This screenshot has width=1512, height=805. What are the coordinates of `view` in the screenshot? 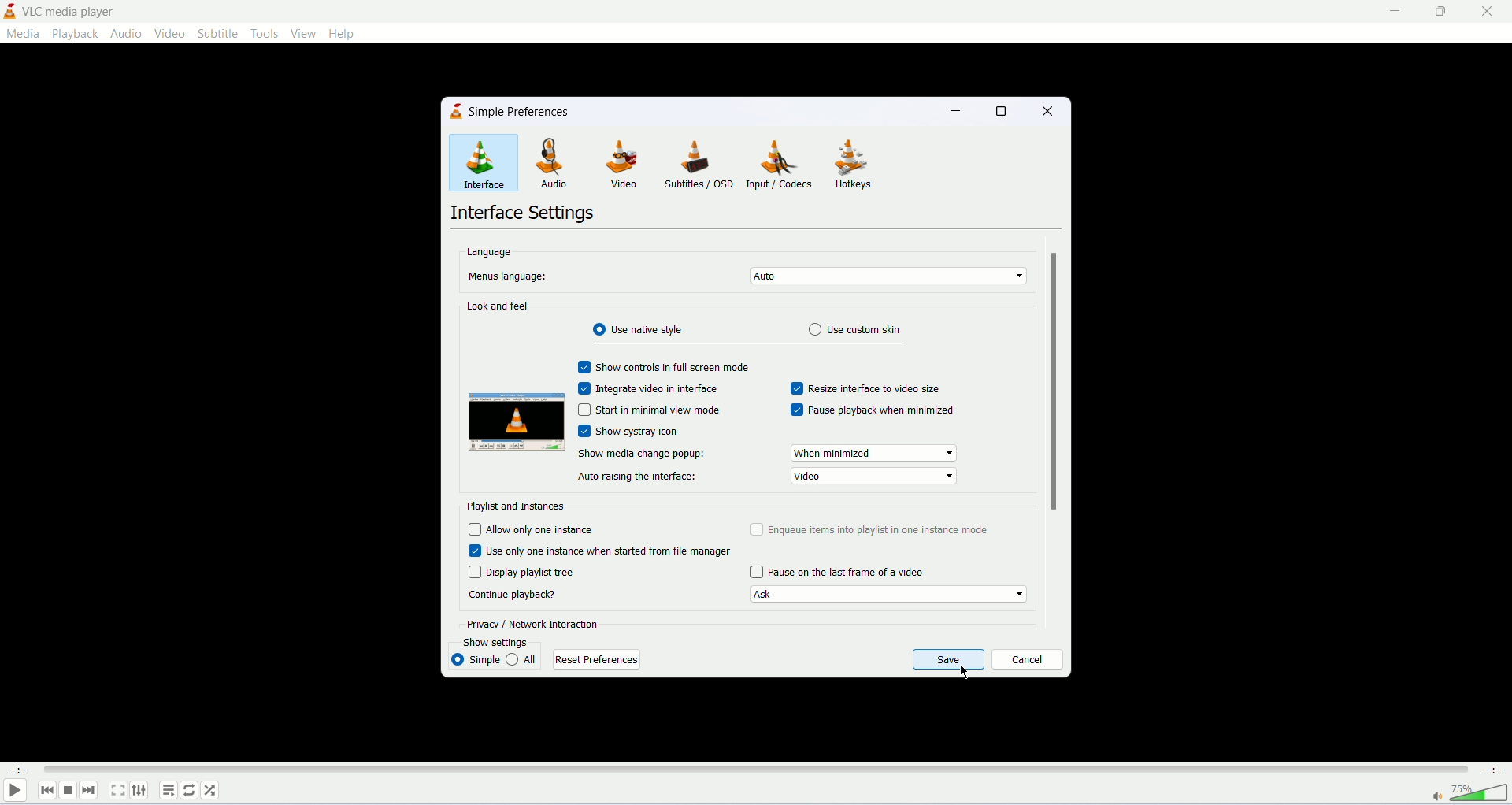 It's located at (303, 34).